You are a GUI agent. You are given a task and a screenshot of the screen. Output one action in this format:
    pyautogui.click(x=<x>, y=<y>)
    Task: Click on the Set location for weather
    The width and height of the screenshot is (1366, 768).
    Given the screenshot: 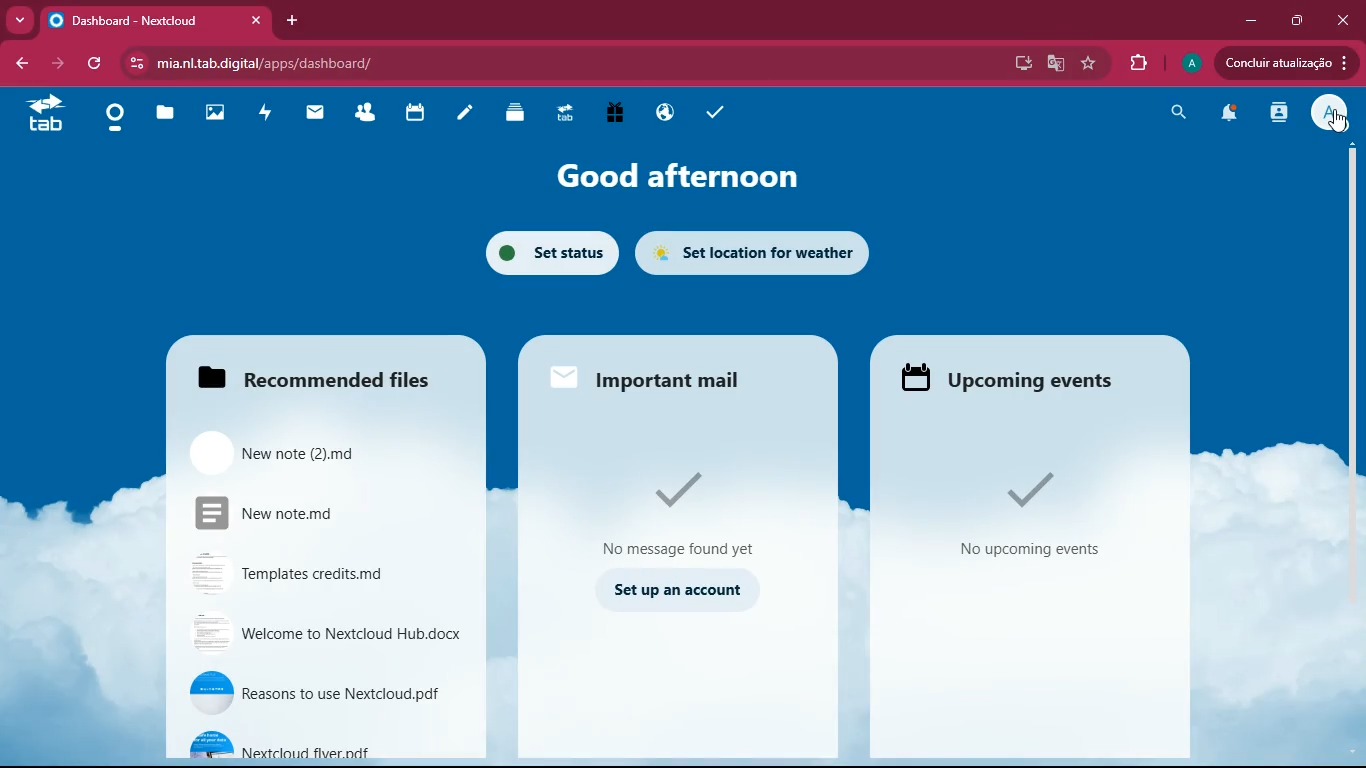 What is the action you would take?
    pyautogui.click(x=752, y=254)
    